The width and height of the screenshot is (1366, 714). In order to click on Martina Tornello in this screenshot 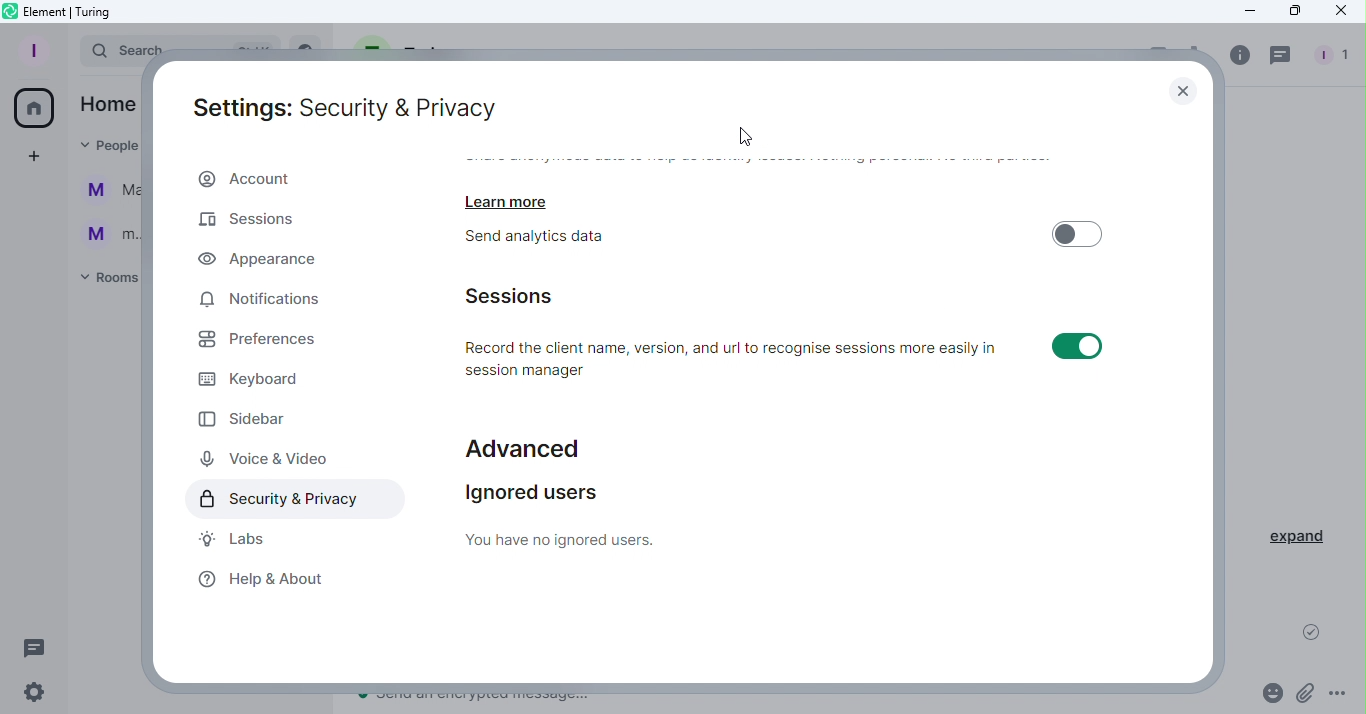, I will do `click(107, 193)`.